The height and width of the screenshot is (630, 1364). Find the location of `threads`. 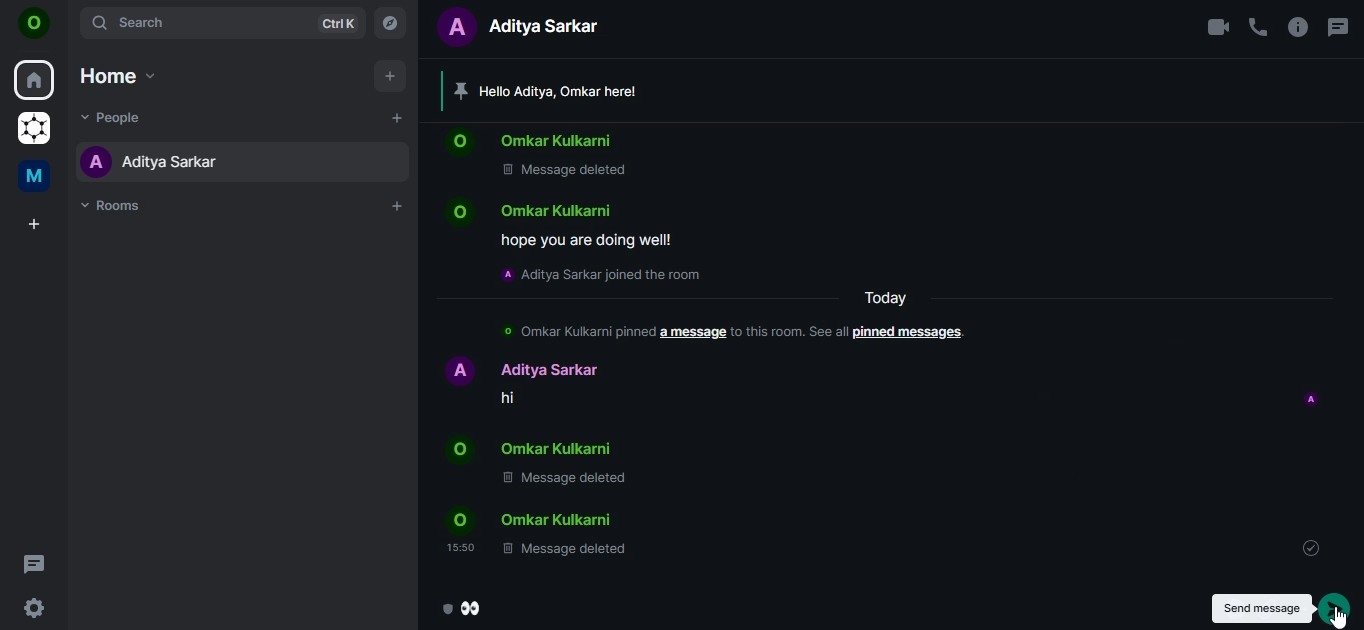

threads is located at coordinates (1337, 22).